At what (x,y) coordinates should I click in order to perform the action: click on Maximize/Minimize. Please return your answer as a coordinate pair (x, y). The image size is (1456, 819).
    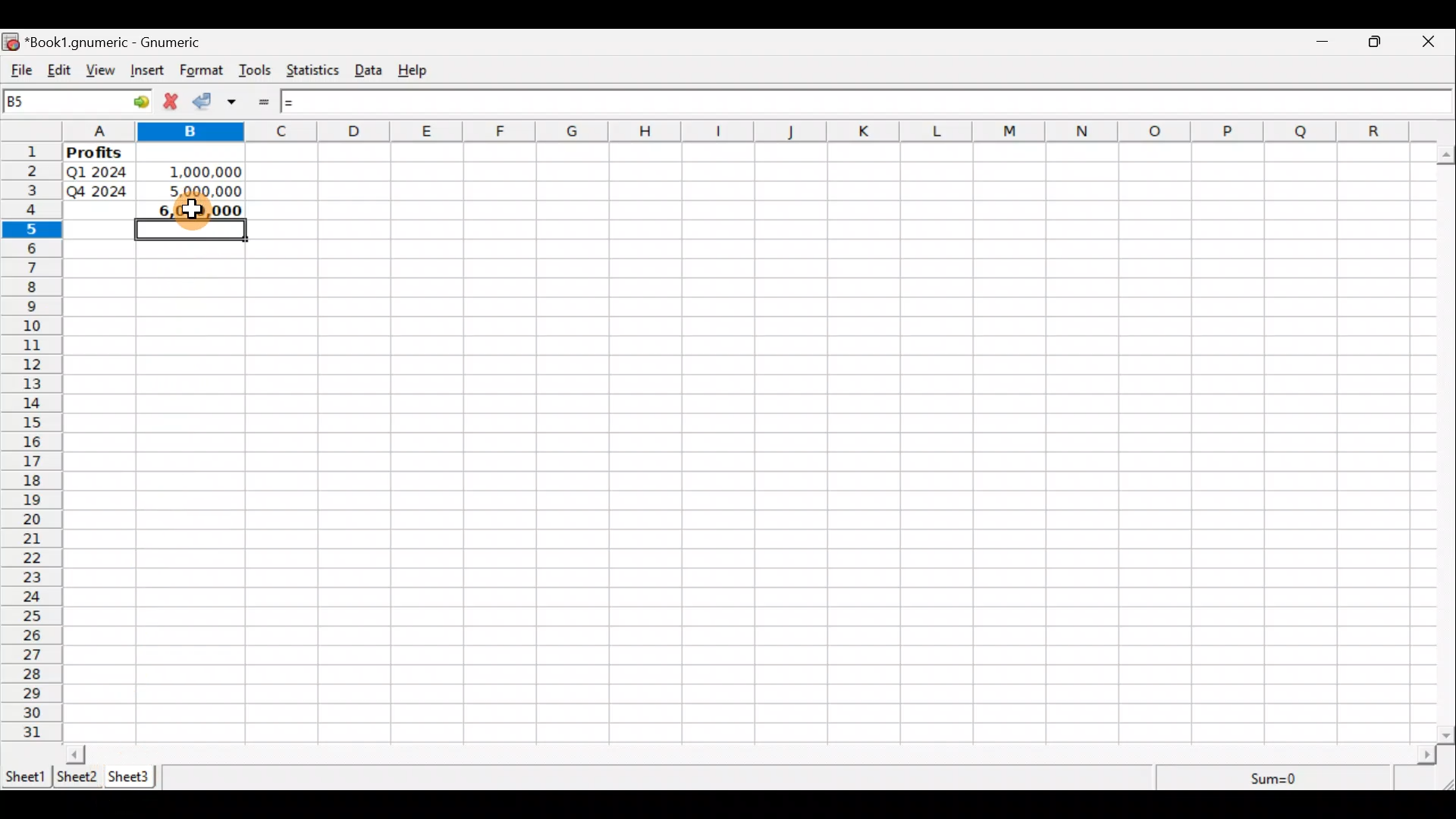
    Looking at the image, I should click on (1379, 42).